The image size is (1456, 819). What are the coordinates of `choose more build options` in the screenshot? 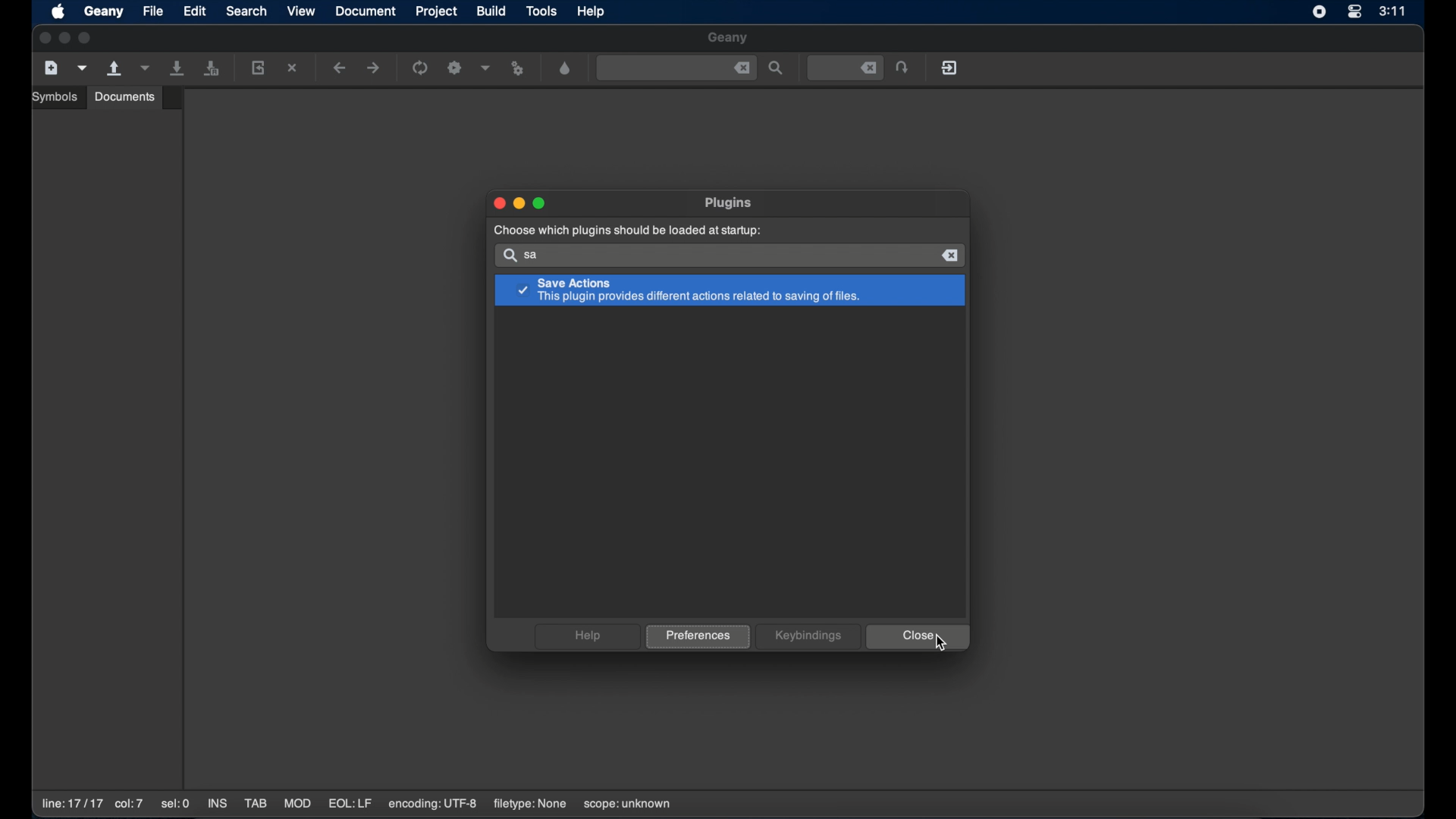 It's located at (486, 67).